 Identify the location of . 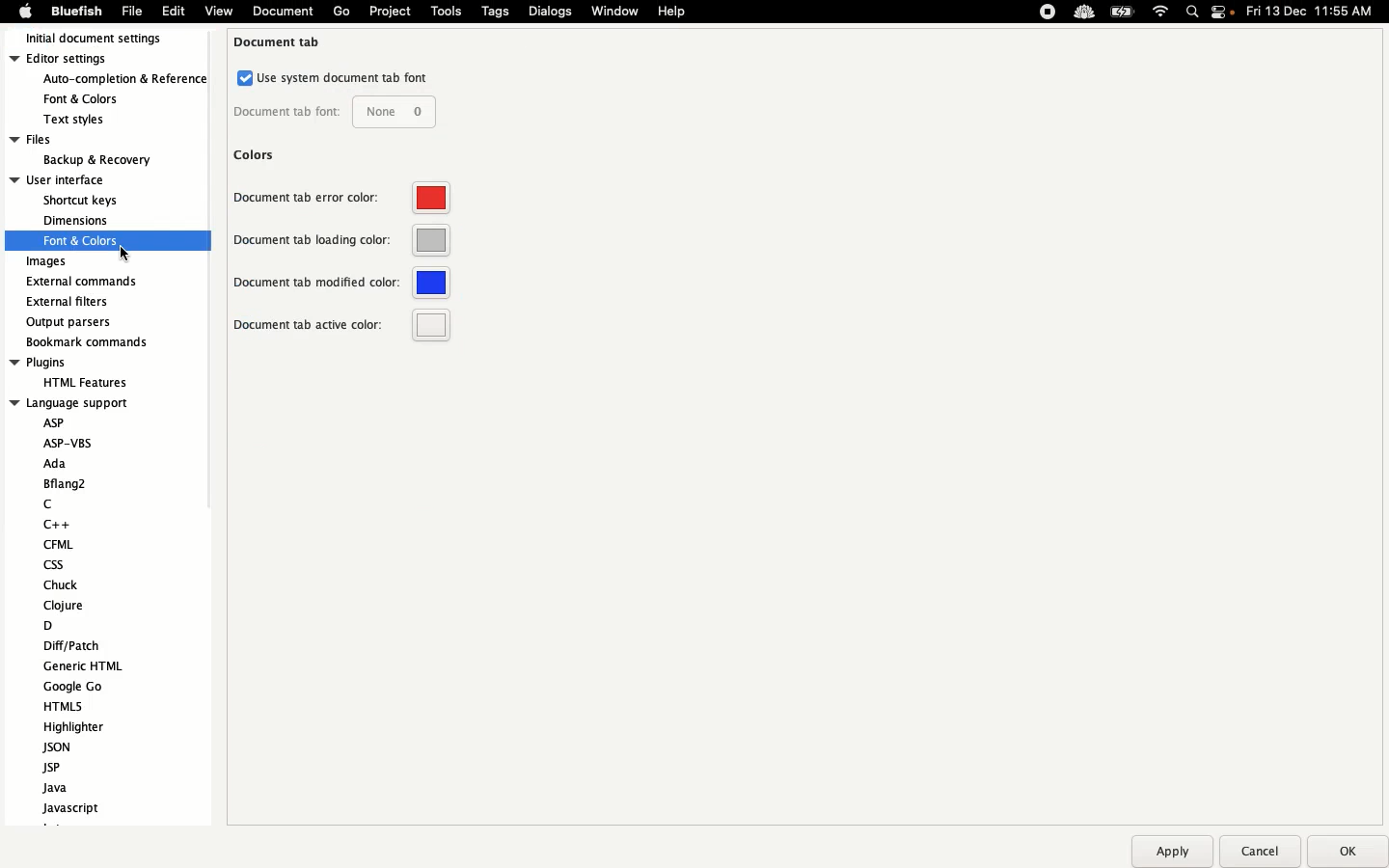
(1266, 850).